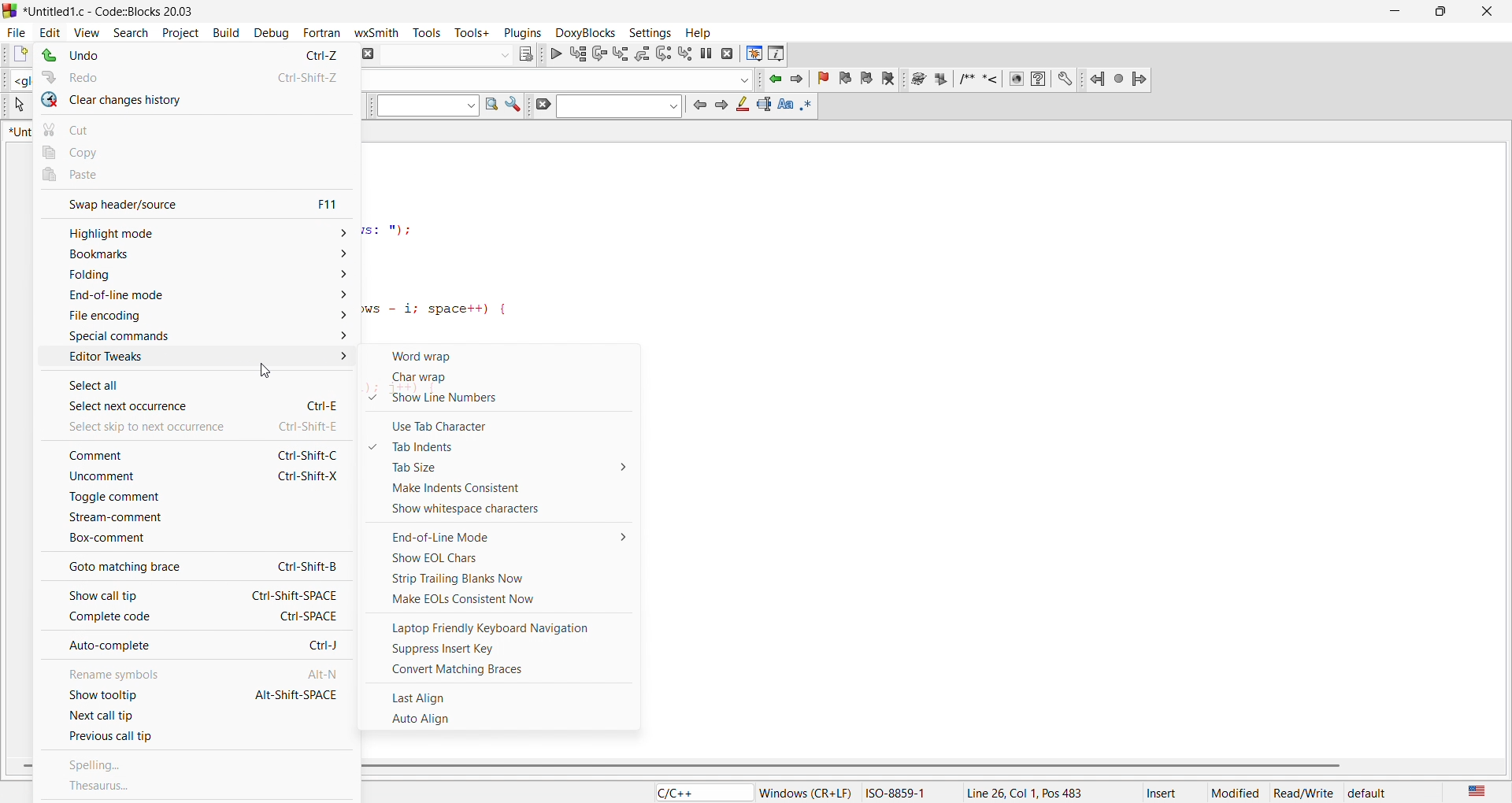  What do you see at coordinates (1476, 792) in the screenshot?
I see `us english` at bounding box center [1476, 792].